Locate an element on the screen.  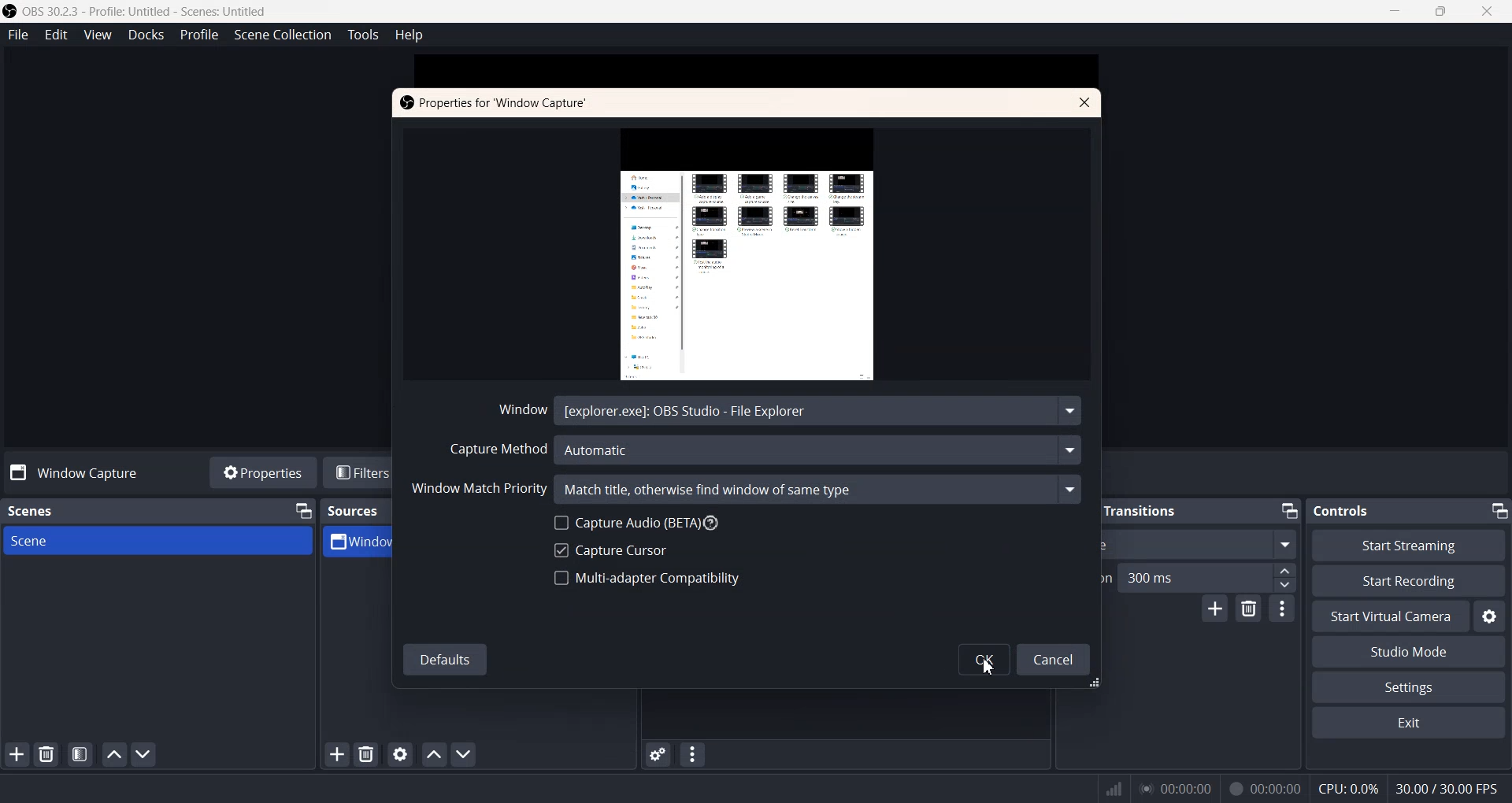
Remove Selected Scene is located at coordinates (46, 755).